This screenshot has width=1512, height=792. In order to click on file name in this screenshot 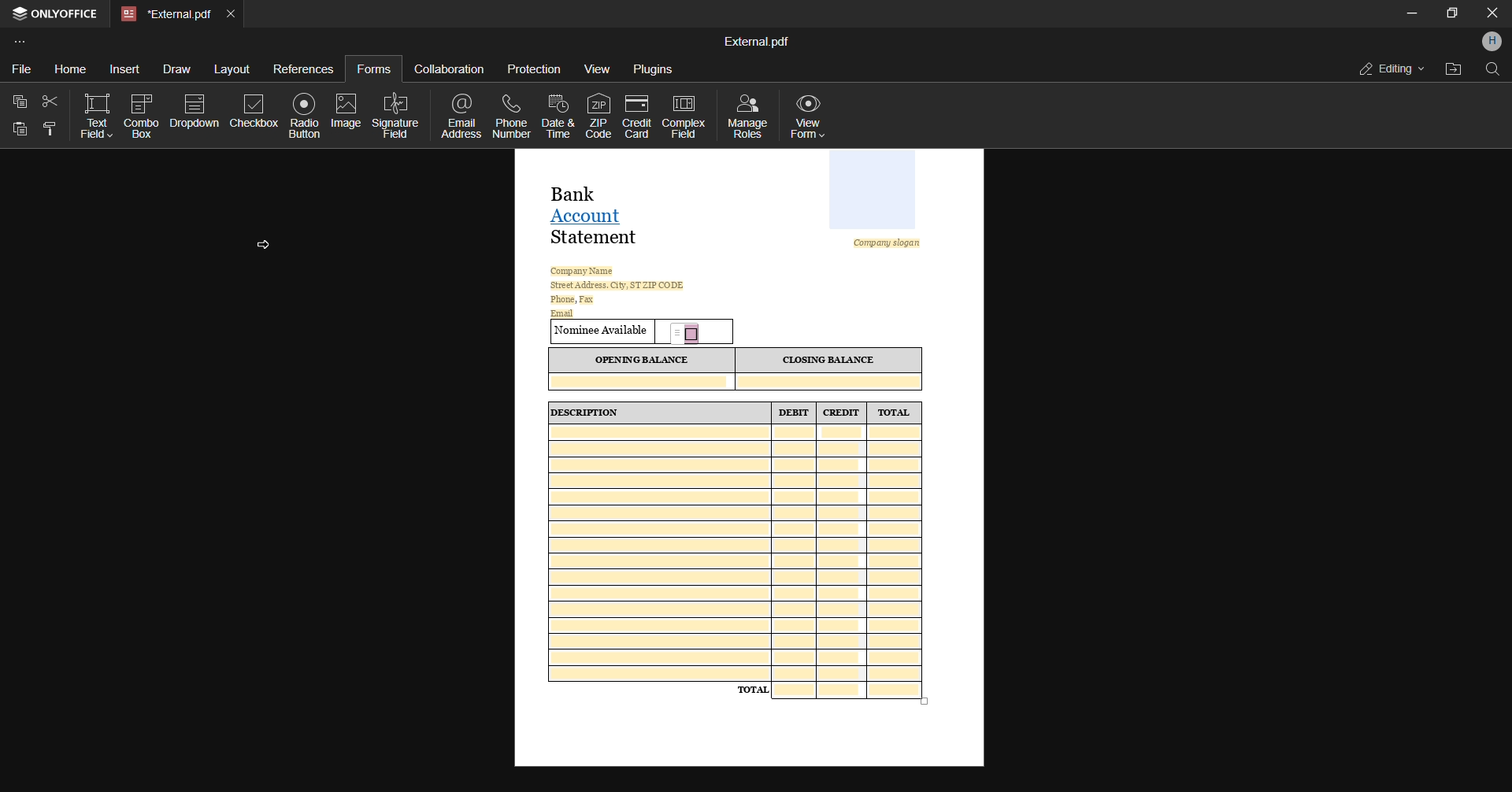, I will do `click(755, 39)`.